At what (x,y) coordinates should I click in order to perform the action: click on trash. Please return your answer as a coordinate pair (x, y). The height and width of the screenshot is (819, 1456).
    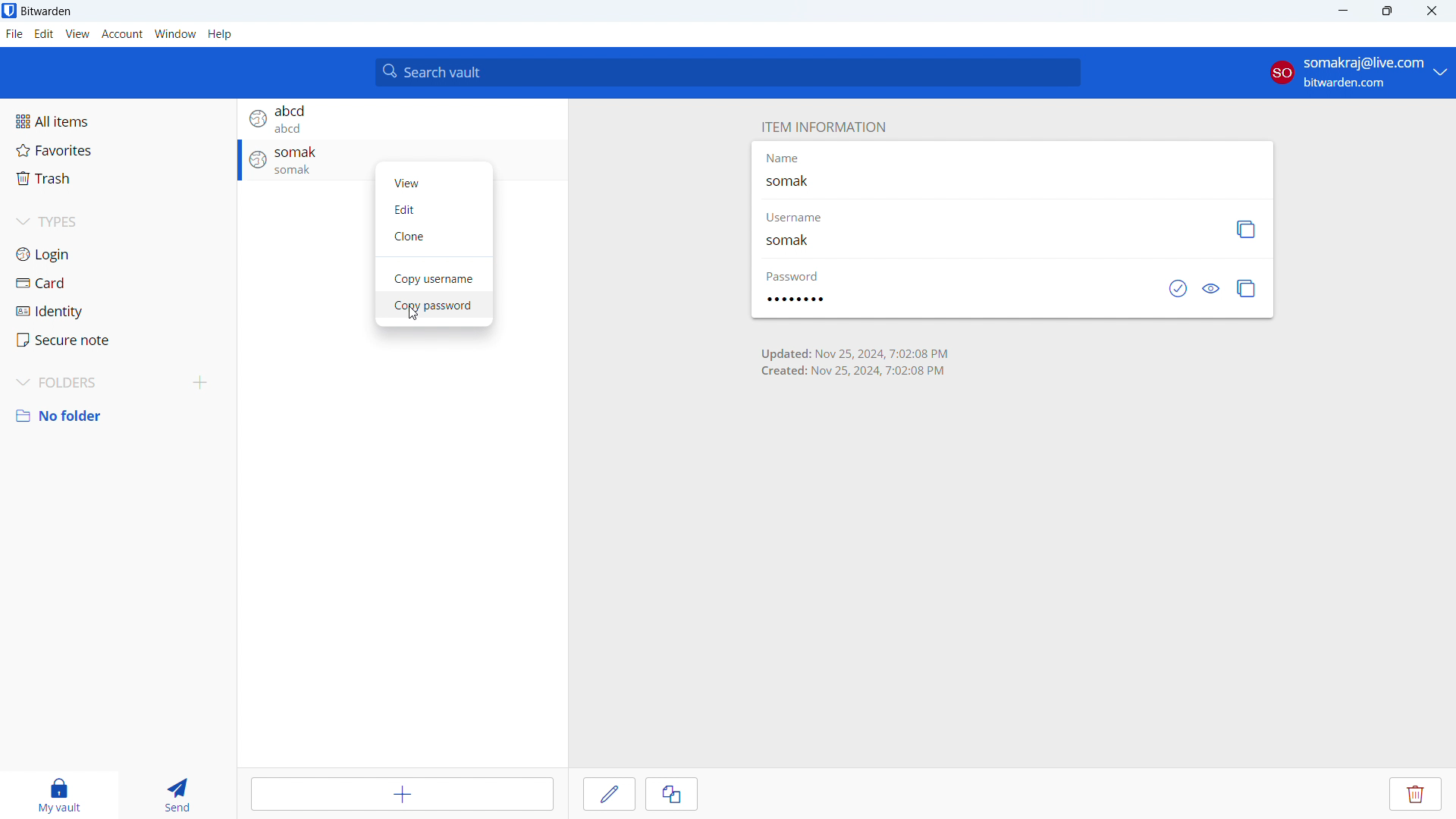
    Looking at the image, I should click on (118, 178).